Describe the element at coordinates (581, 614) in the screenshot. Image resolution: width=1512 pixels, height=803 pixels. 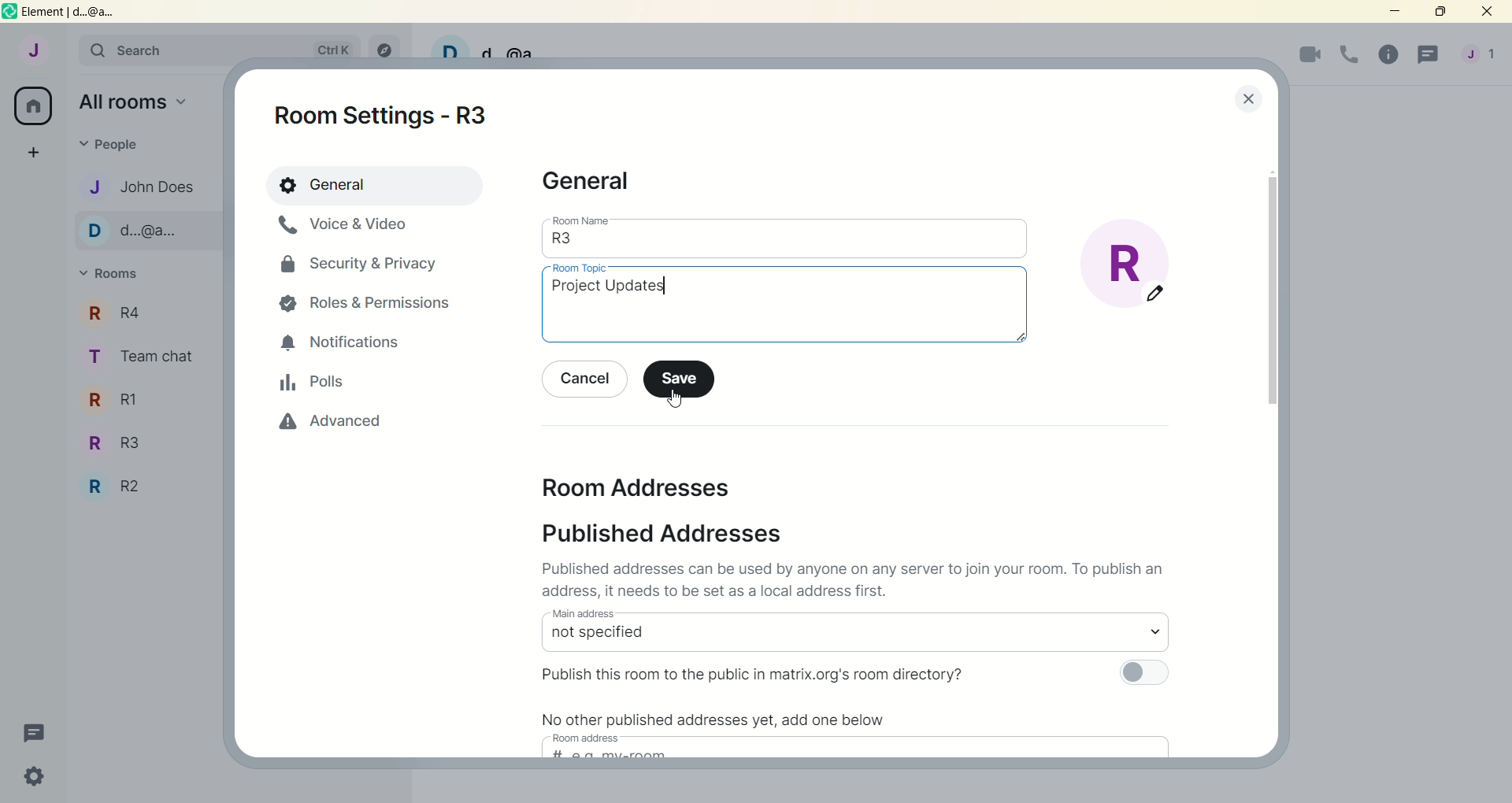
I see `main address` at that location.